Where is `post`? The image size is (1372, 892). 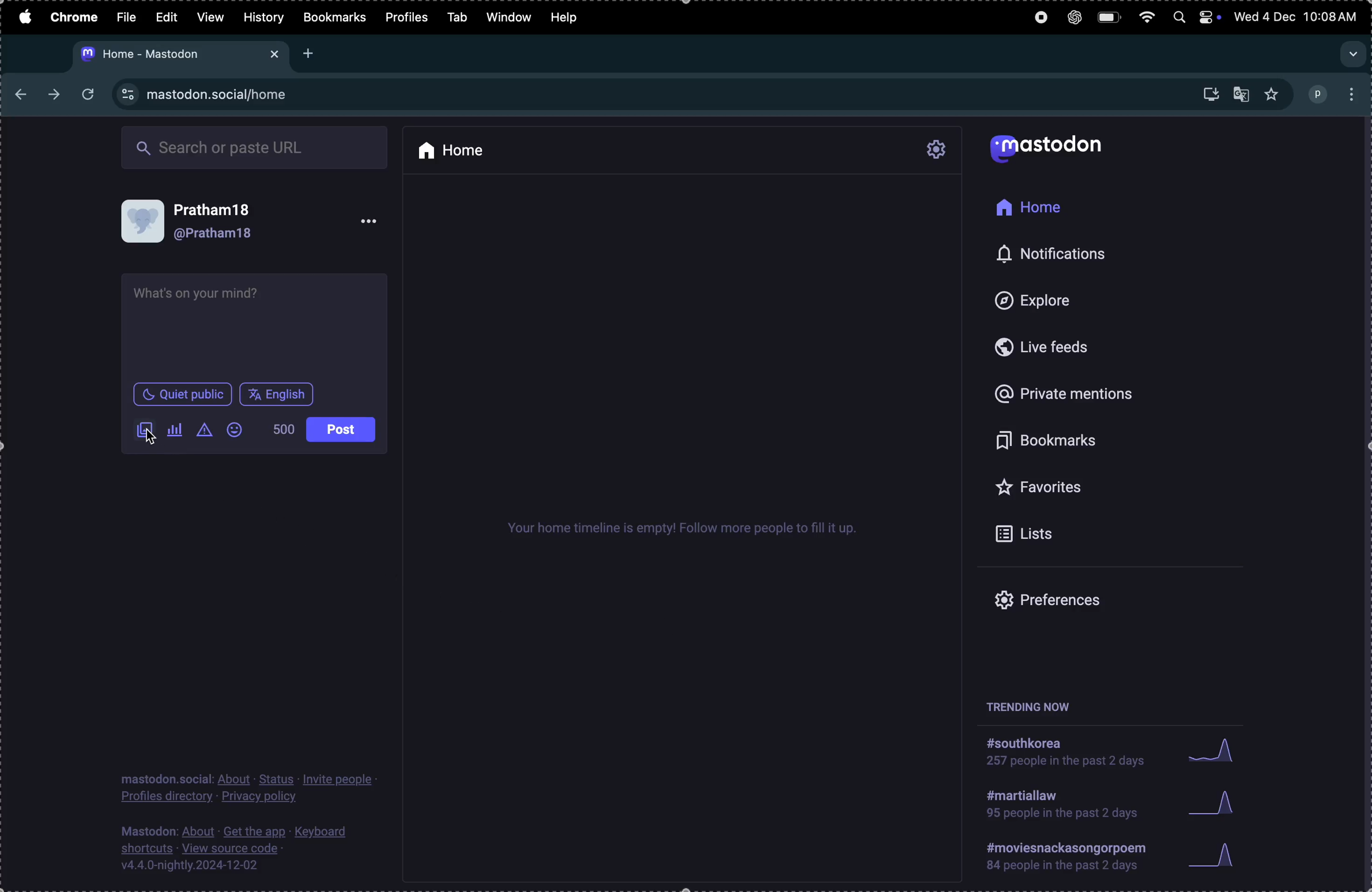 post is located at coordinates (341, 429).